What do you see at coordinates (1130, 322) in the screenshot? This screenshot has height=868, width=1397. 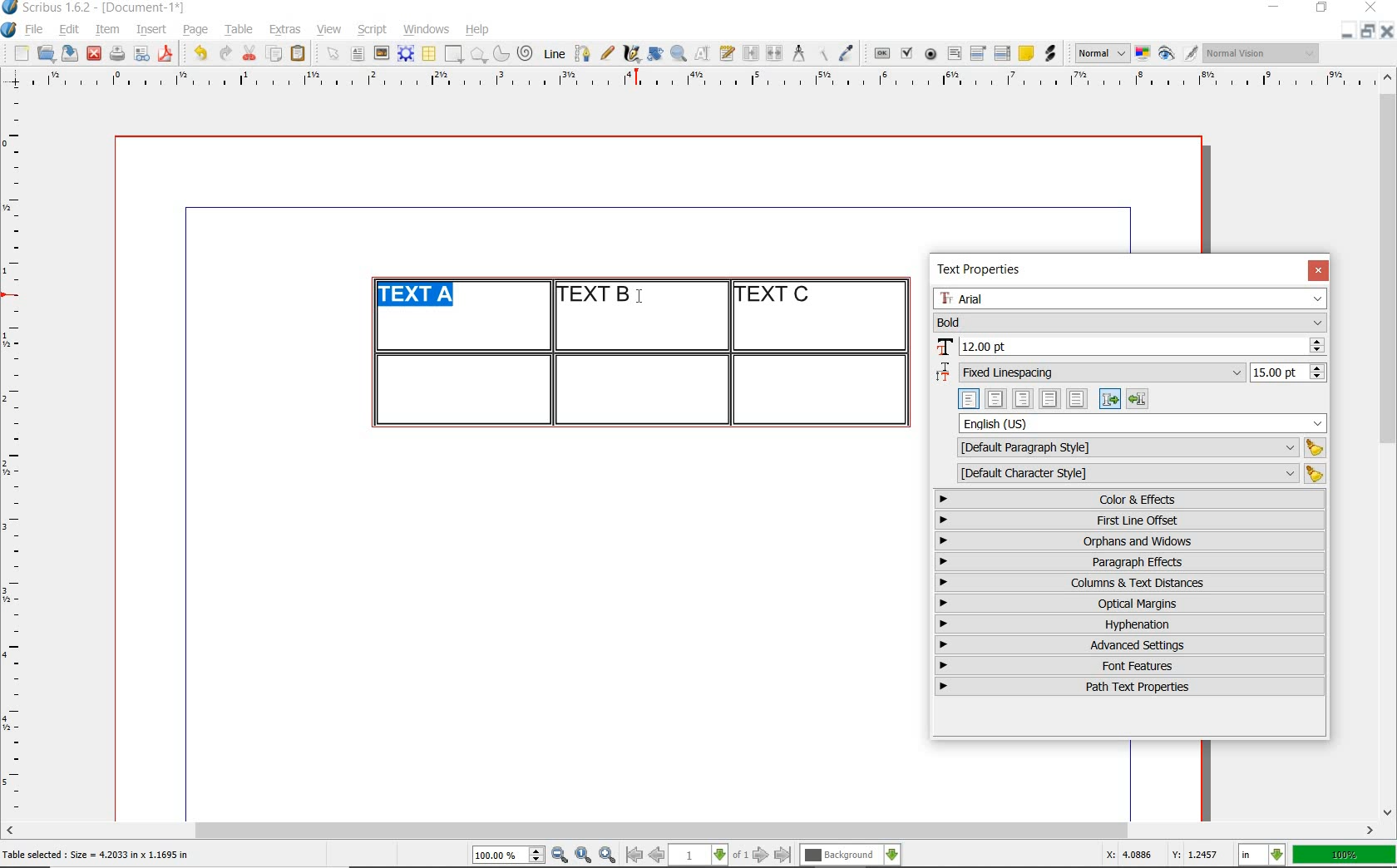 I see `font style` at bounding box center [1130, 322].